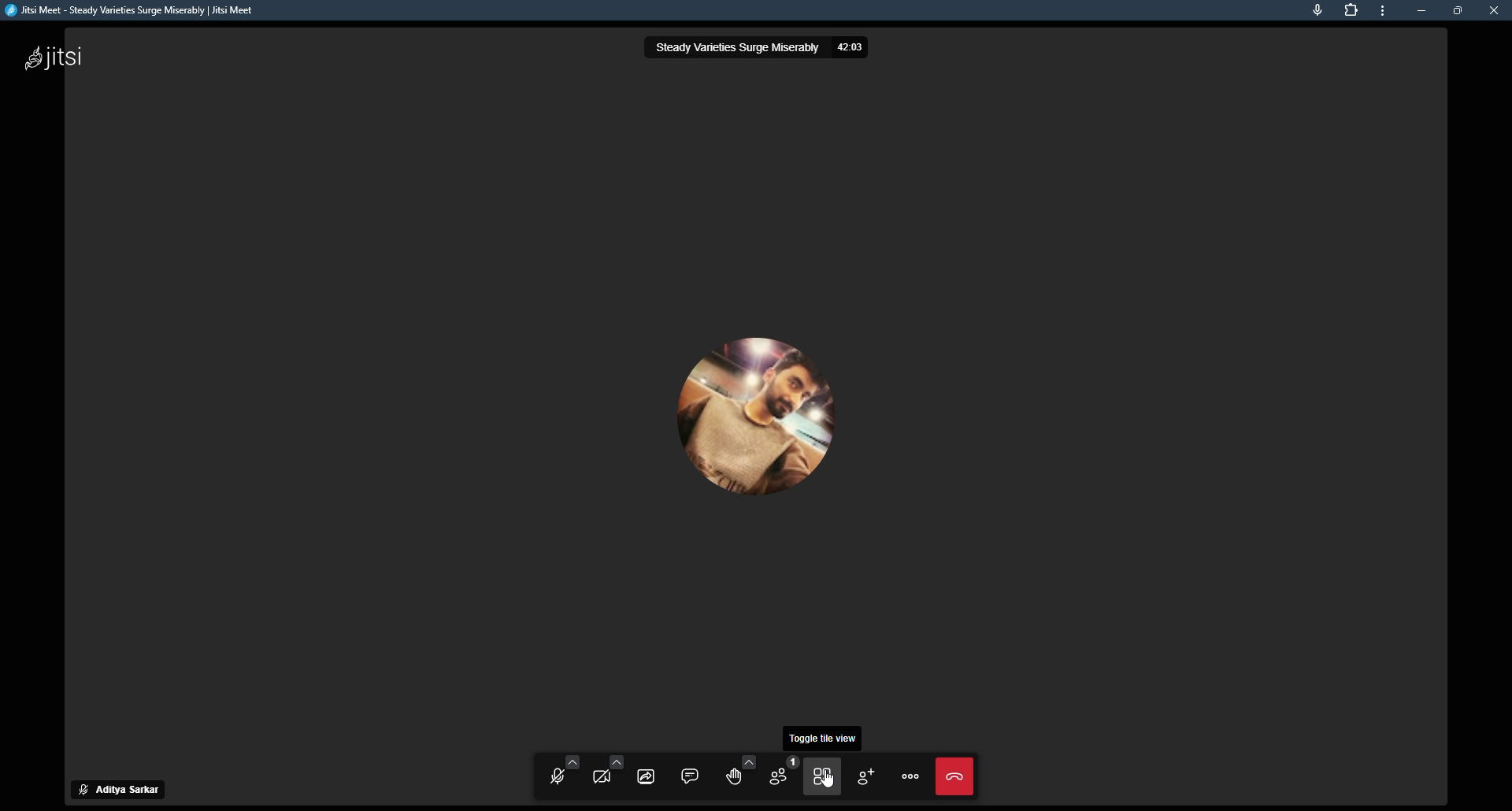 The height and width of the screenshot is (811, 1512). I want to click on tile view, so click(787, 388).